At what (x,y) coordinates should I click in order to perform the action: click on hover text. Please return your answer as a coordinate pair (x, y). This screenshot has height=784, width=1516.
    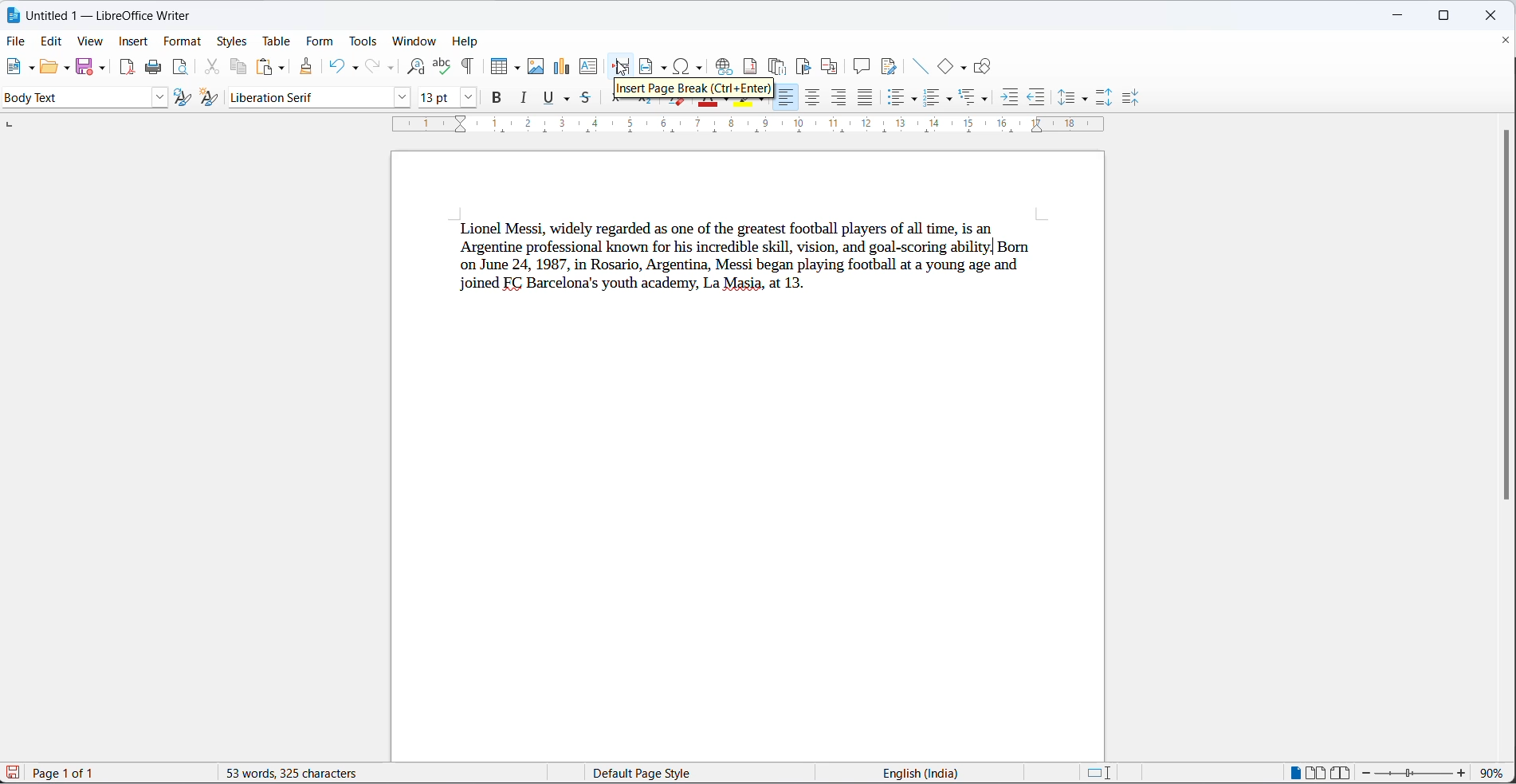
    Looking at the image, I should click on (691, 88).